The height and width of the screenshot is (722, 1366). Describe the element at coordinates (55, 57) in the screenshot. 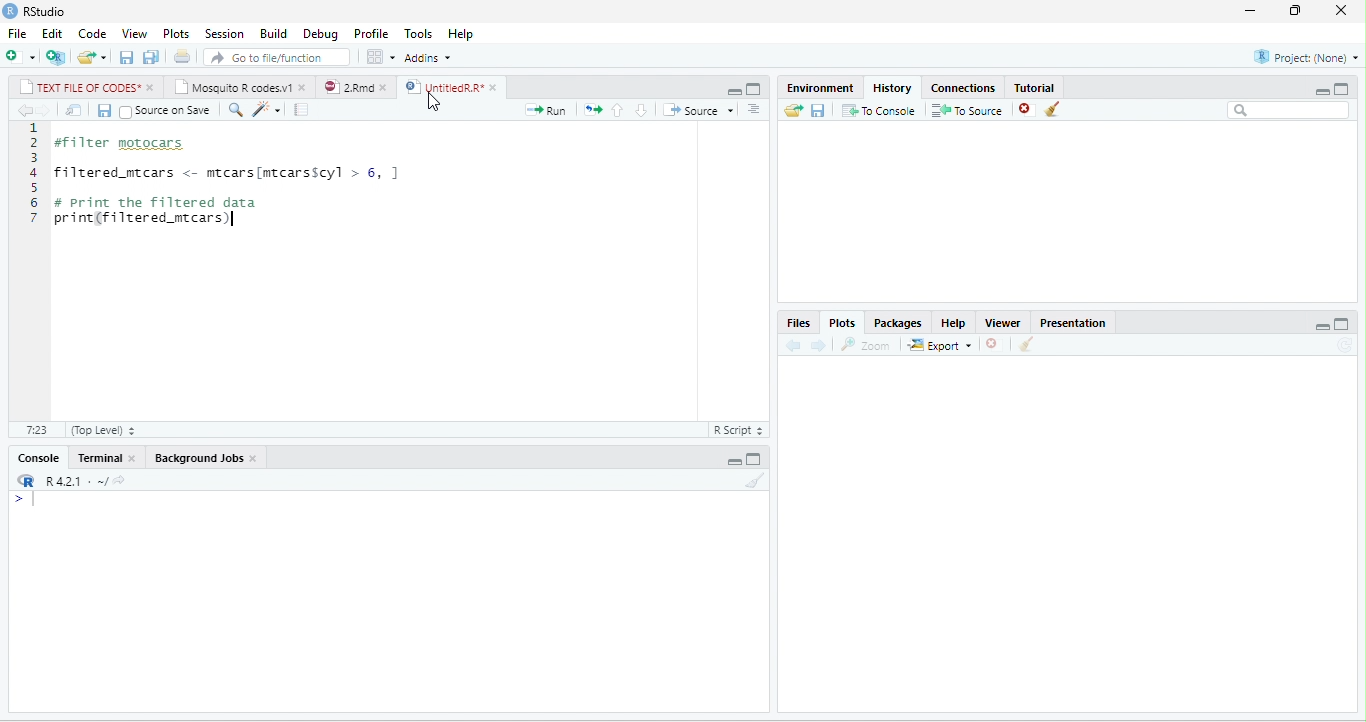

I see `new project` at that location.